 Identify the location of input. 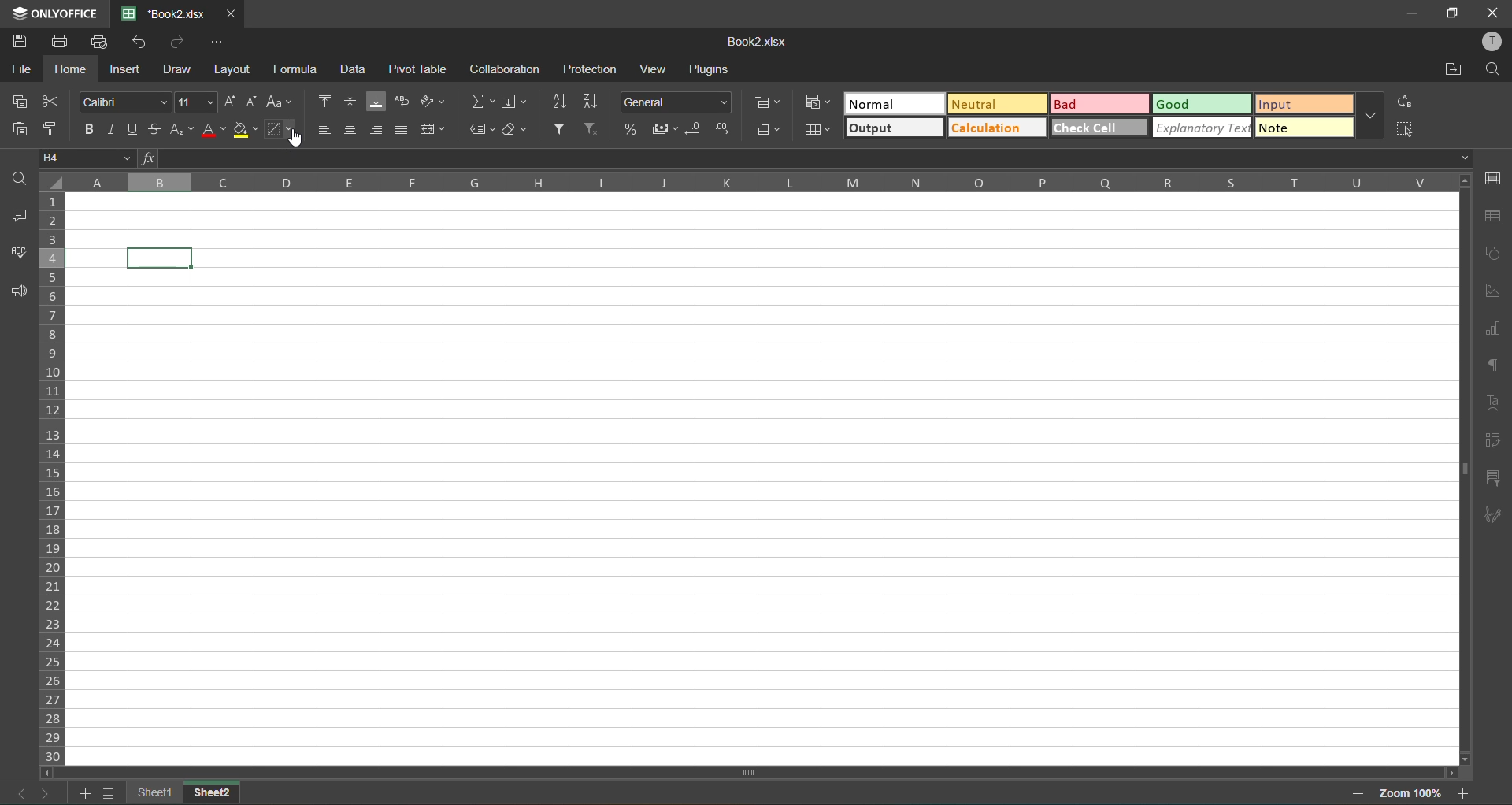
(1302, 104).